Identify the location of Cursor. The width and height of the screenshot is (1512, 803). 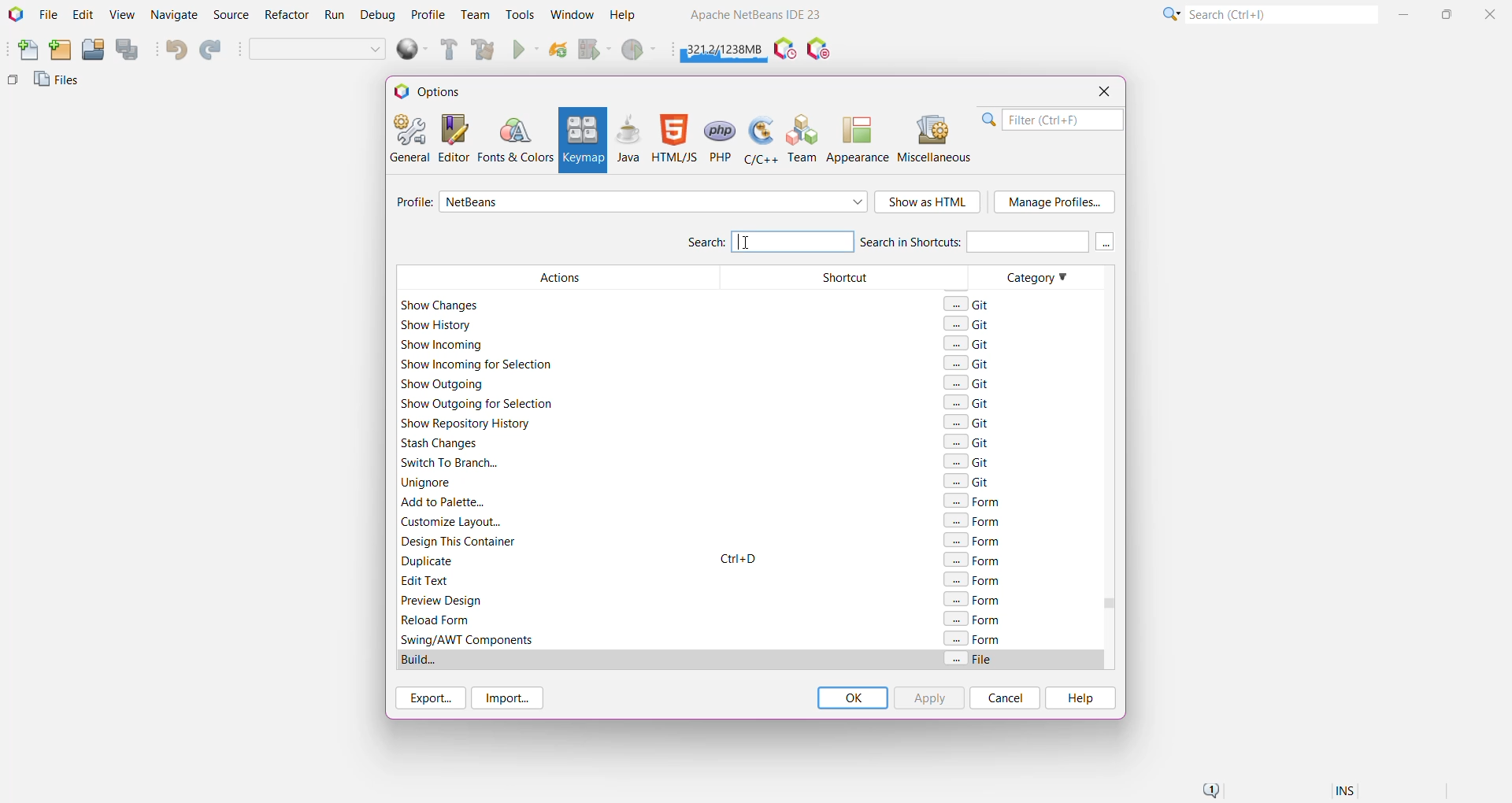
(747, 240).